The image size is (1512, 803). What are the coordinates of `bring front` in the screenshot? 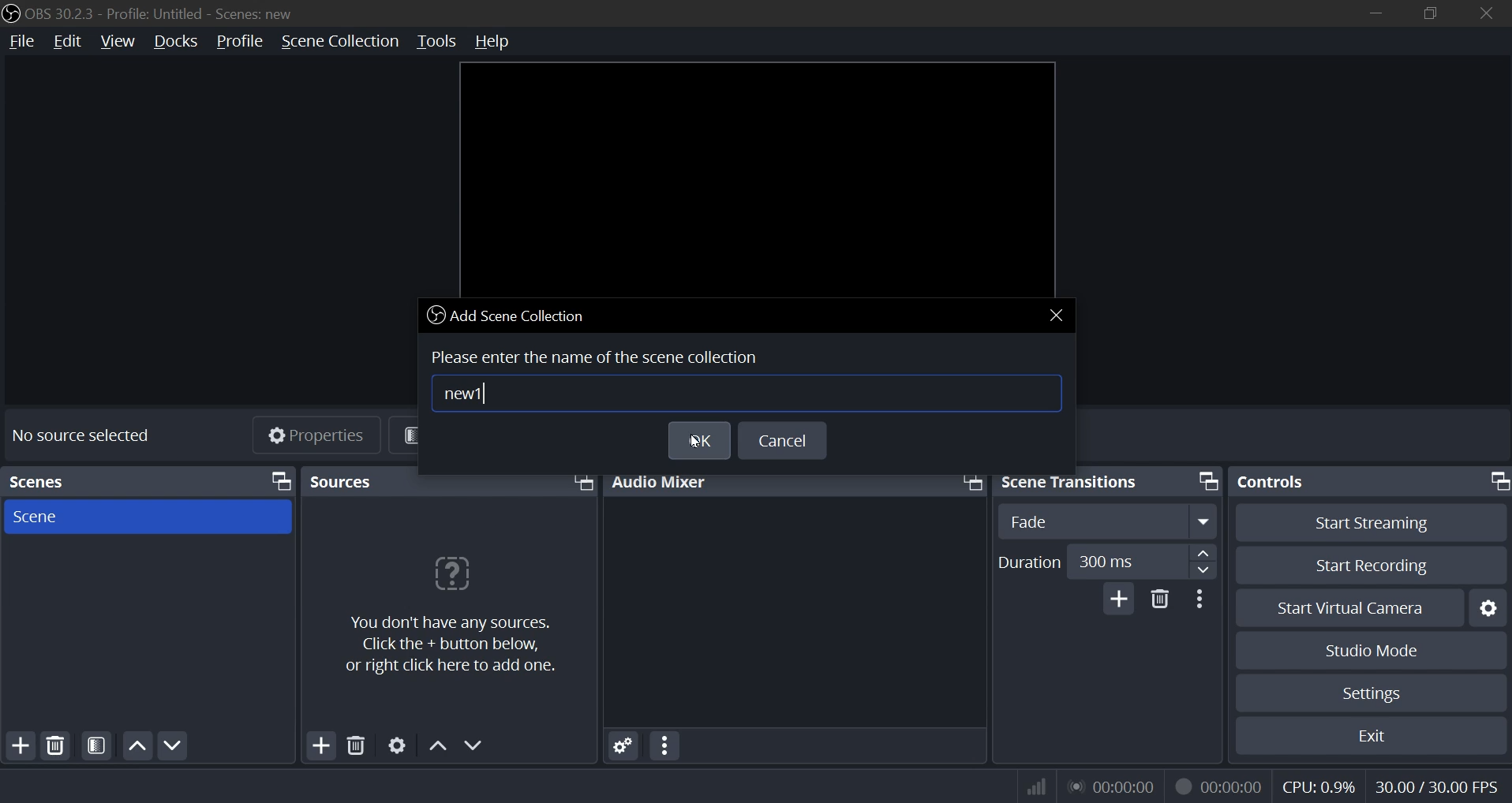 It's located at (582, 483).